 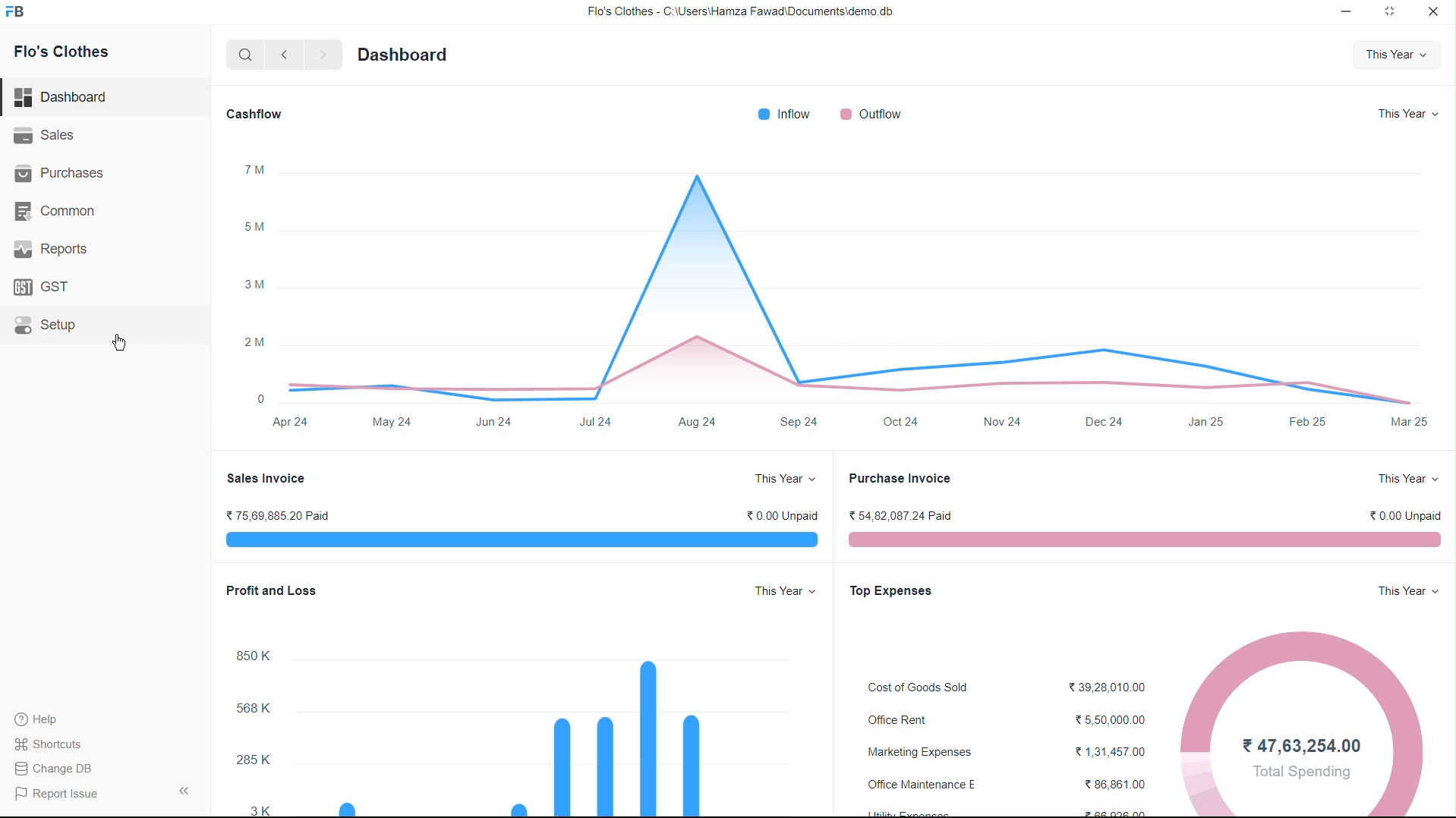 I want to click on Graph, so click(x=518, y=736).